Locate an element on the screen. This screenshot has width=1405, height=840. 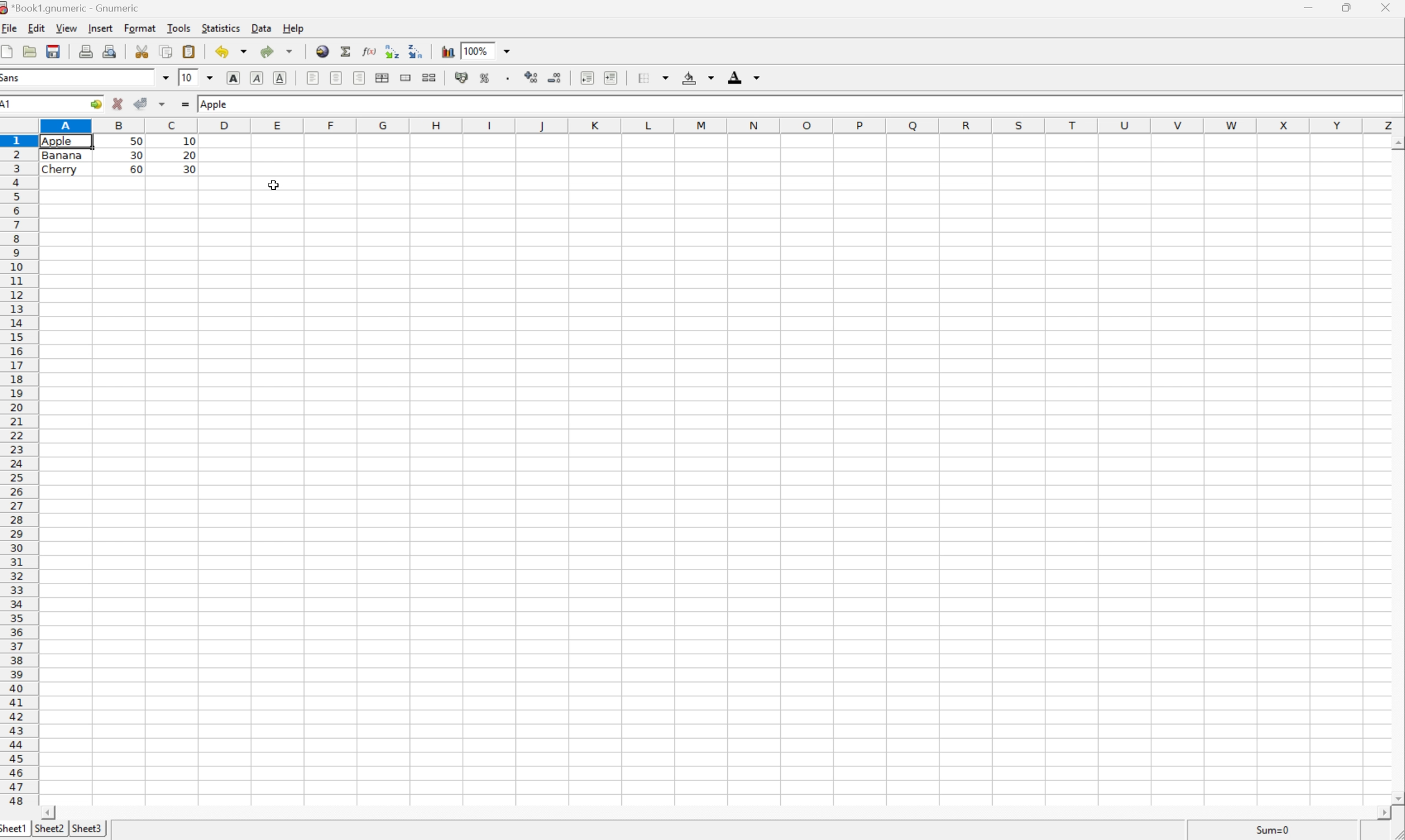
scroll right is located at coordinates (1381, 813).